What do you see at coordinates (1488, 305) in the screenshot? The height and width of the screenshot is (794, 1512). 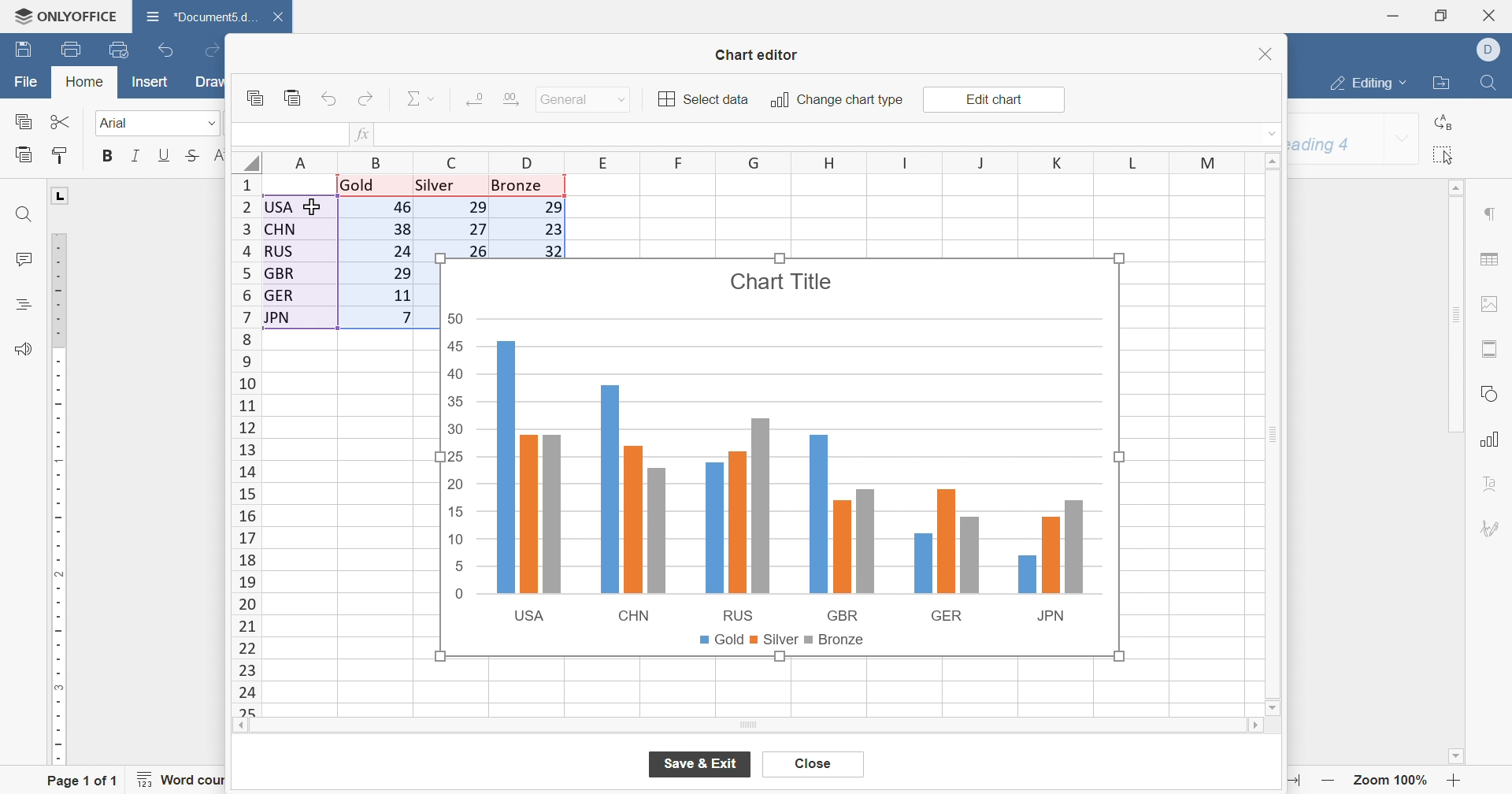 I see `image settings` at bounding box center [1488, 305].